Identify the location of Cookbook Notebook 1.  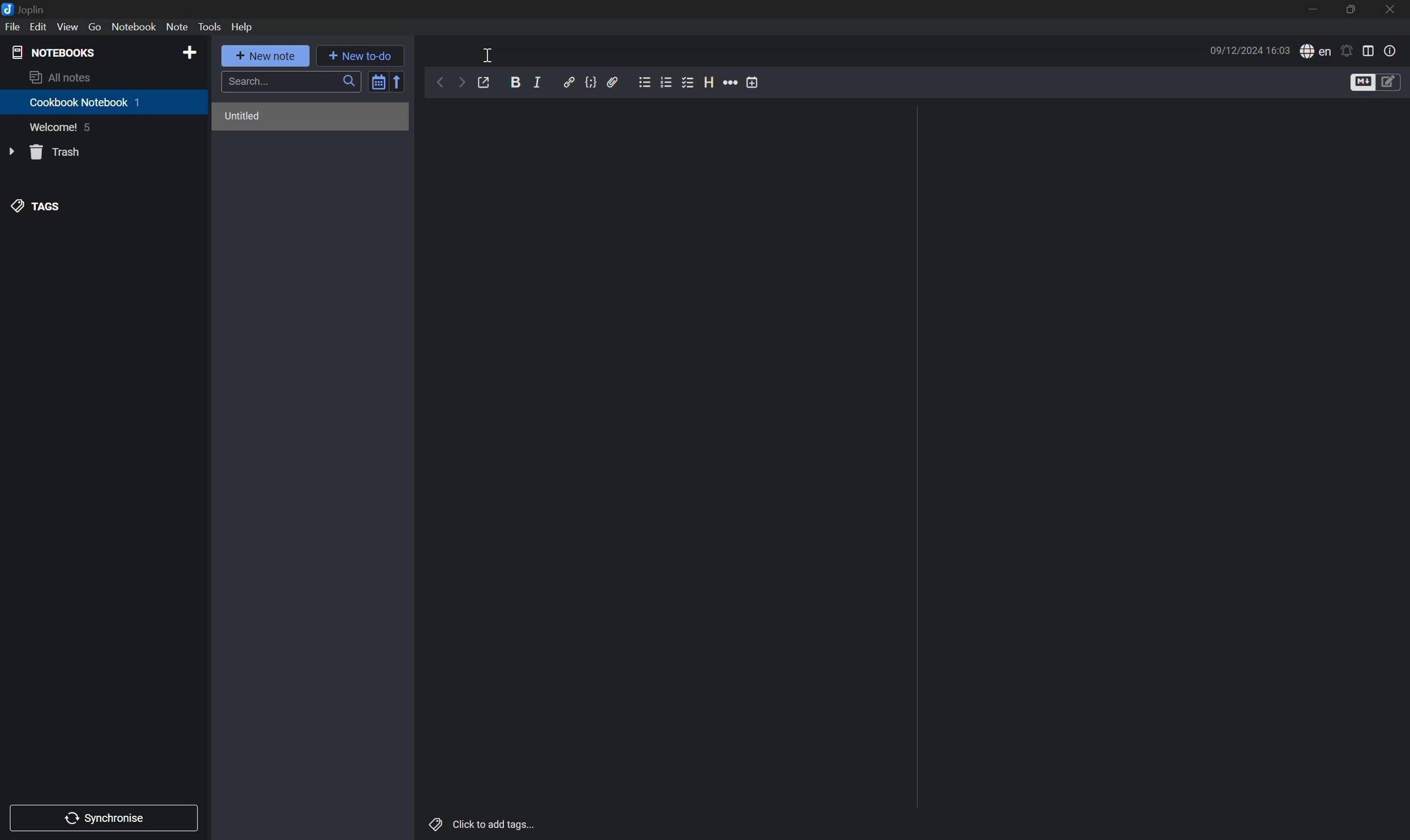
(86, 102).